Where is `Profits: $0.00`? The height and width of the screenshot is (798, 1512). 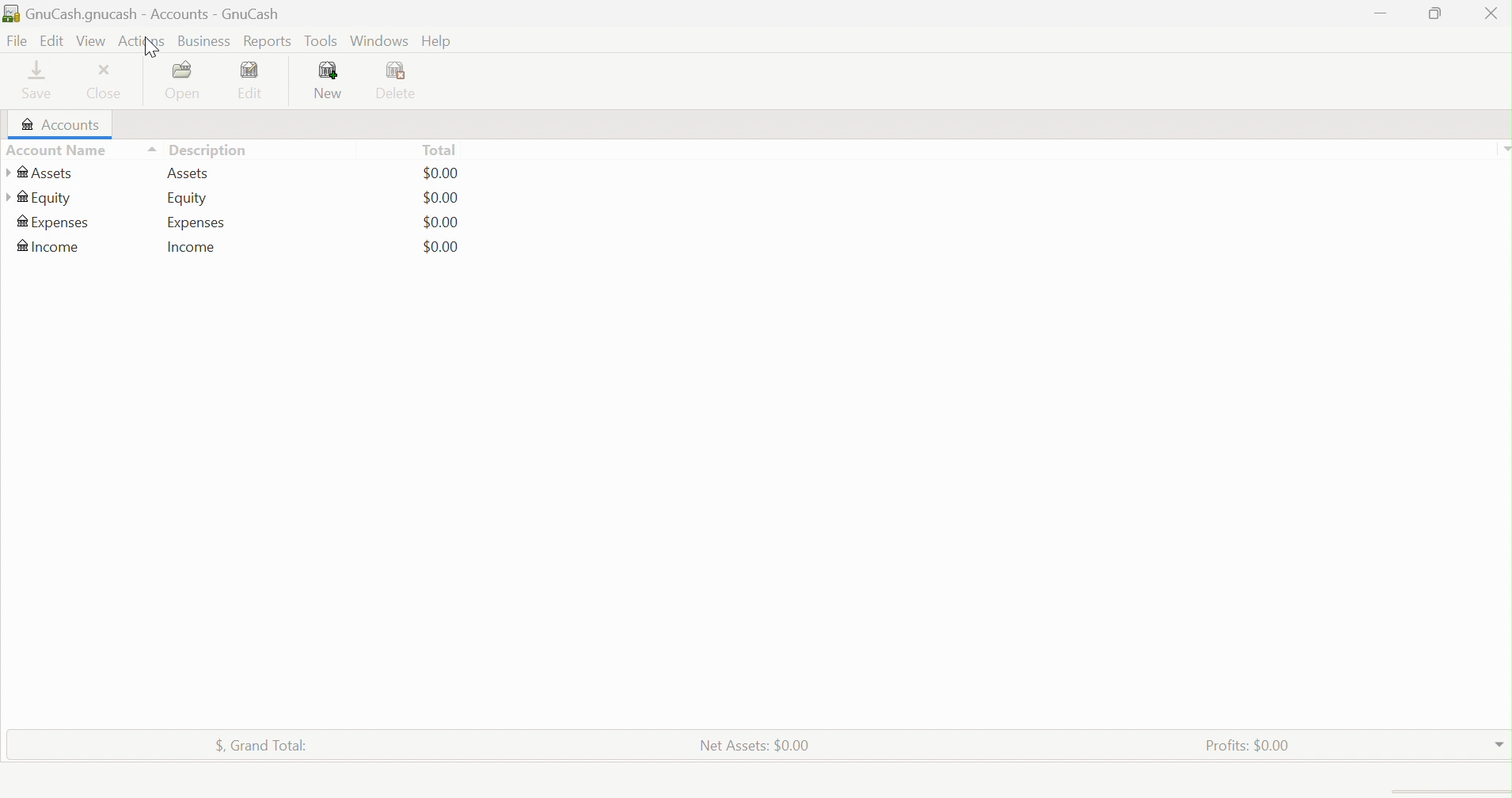
Profits: $0.00 is located at coordinates (1251, 744).